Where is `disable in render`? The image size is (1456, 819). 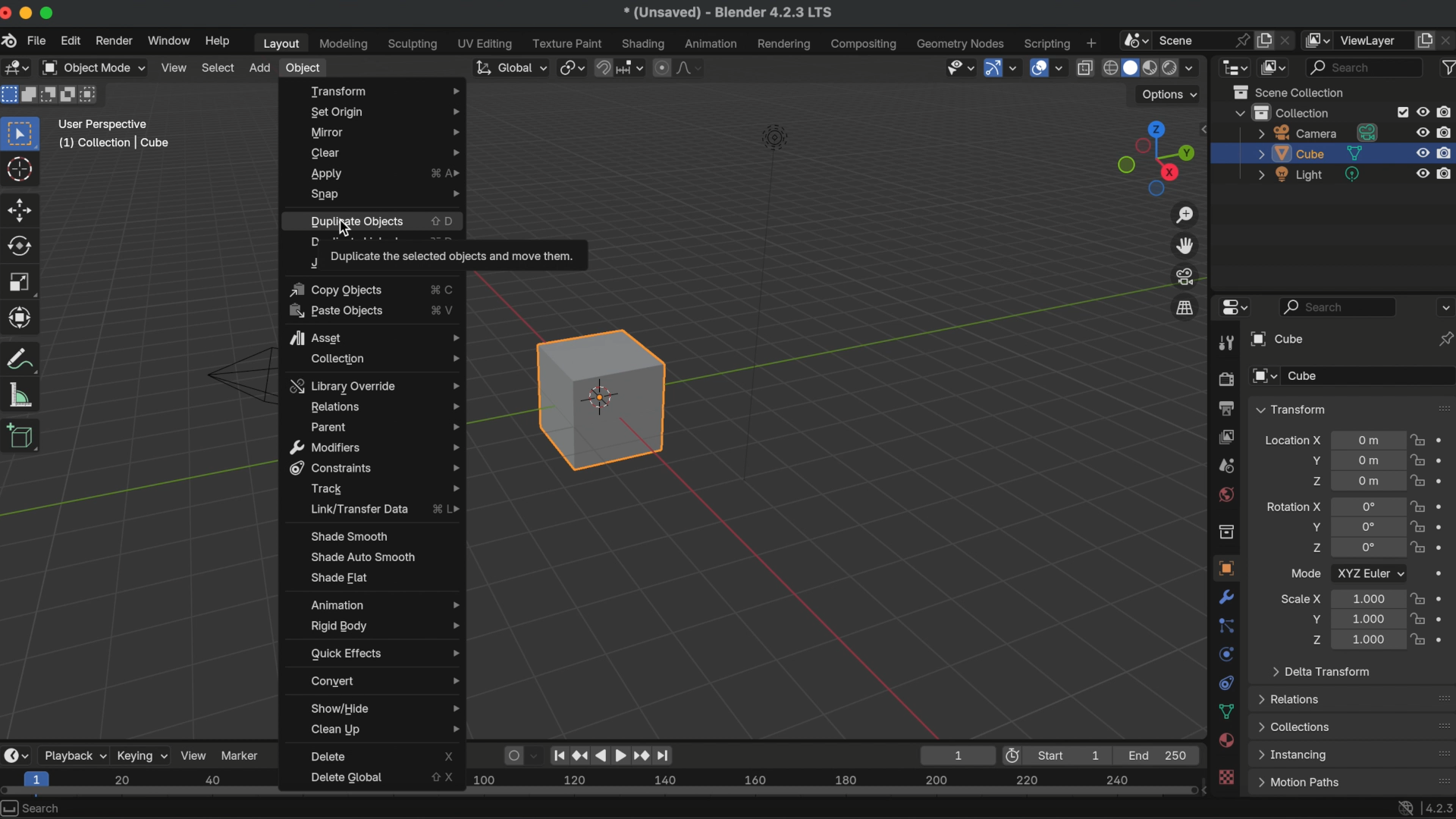
disable in render is located at coordinates (1446, 111).